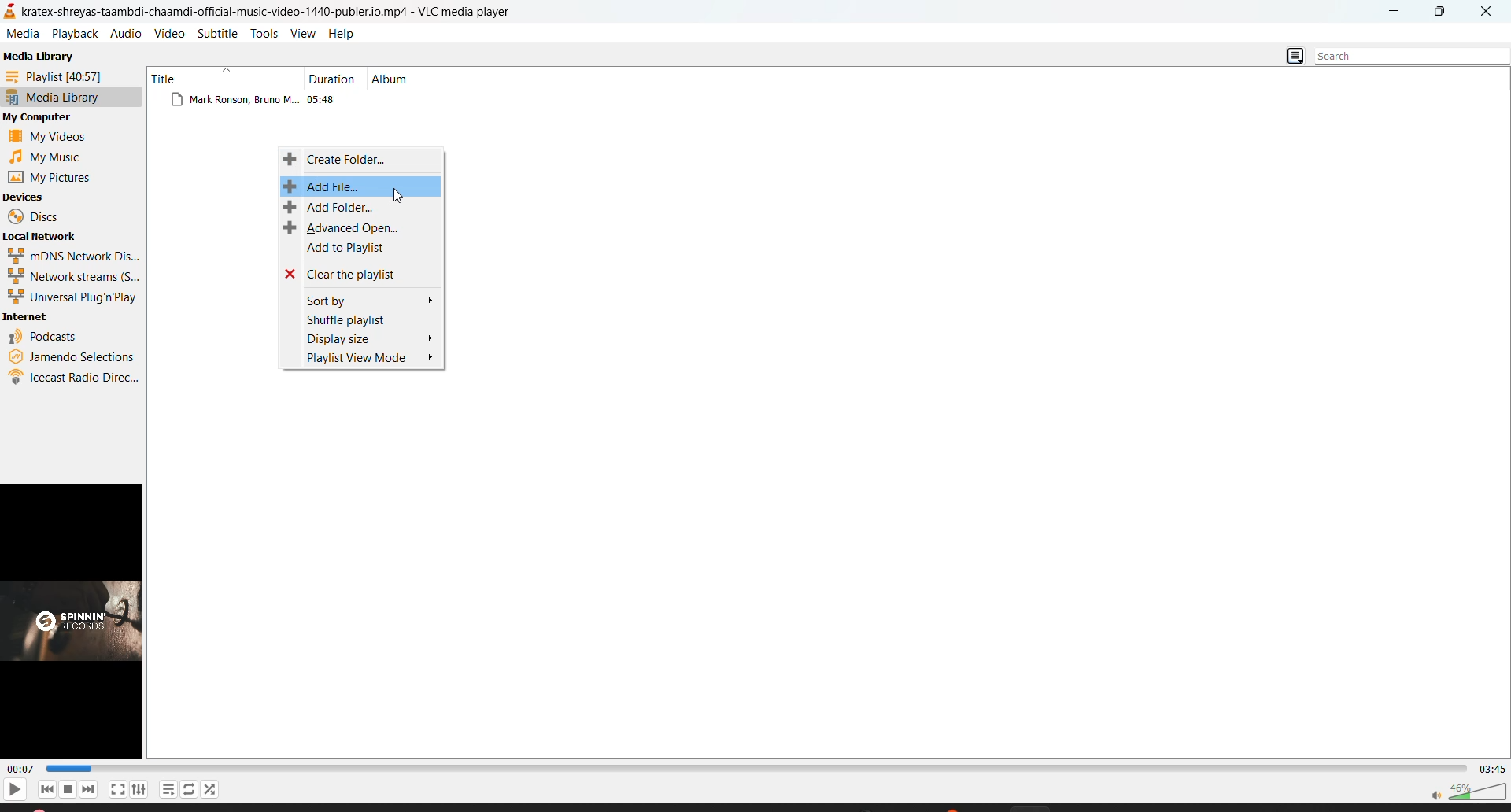 This screenshot has height=812, width=1511. Describe the element at coordinates (1494, 770) in the screenshot. I see `total track time` at that location.